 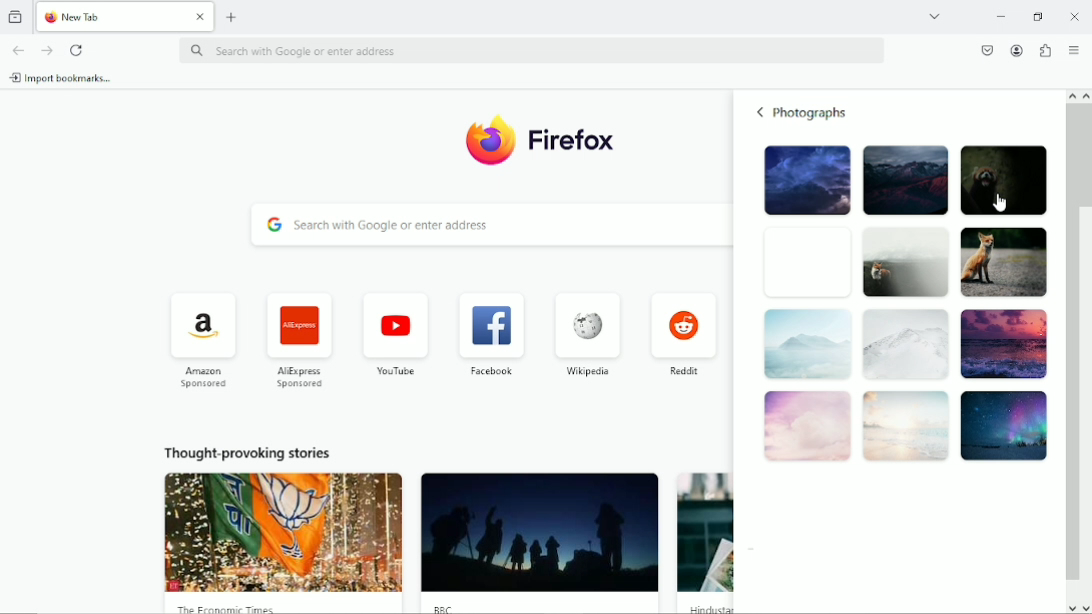 What do you see at coordinates (576, 138) in the screenshot?
I see `Firefox` at bounding box center [576, 138].